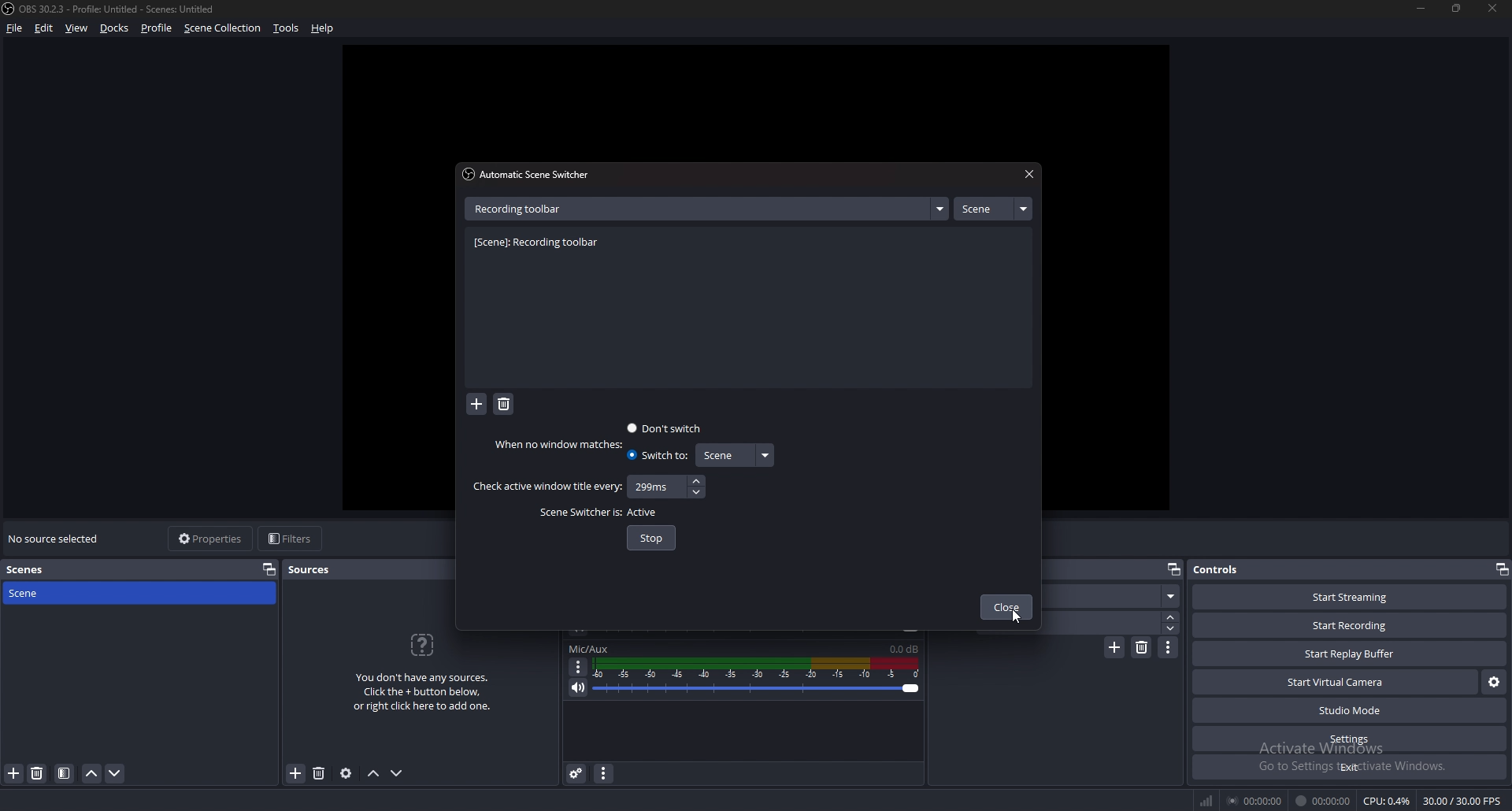  What do you see at coordinates (346, 772) in the screenshot?
I see `source properties` at bounding box center [346, 772].